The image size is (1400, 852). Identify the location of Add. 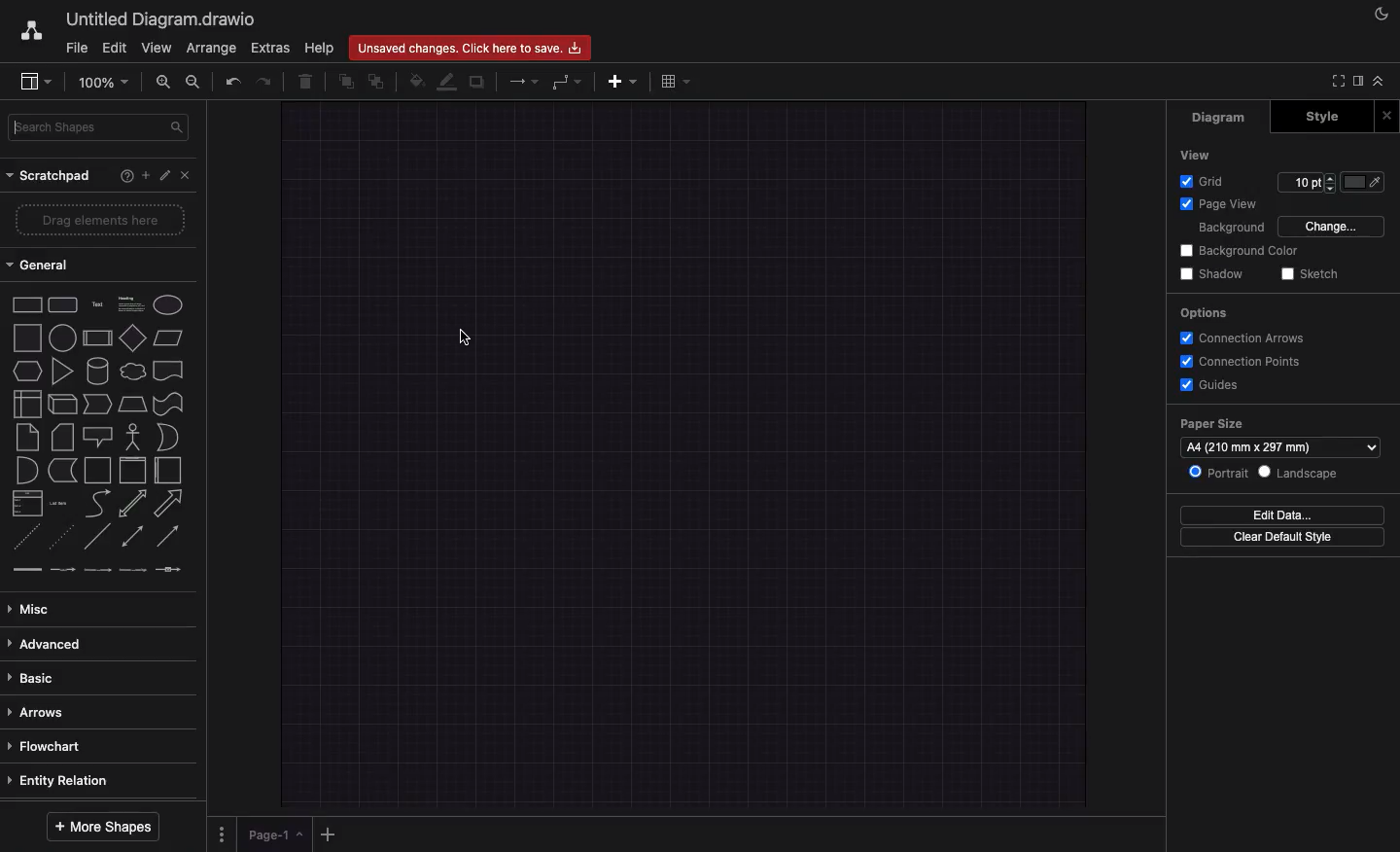
(331, 834).